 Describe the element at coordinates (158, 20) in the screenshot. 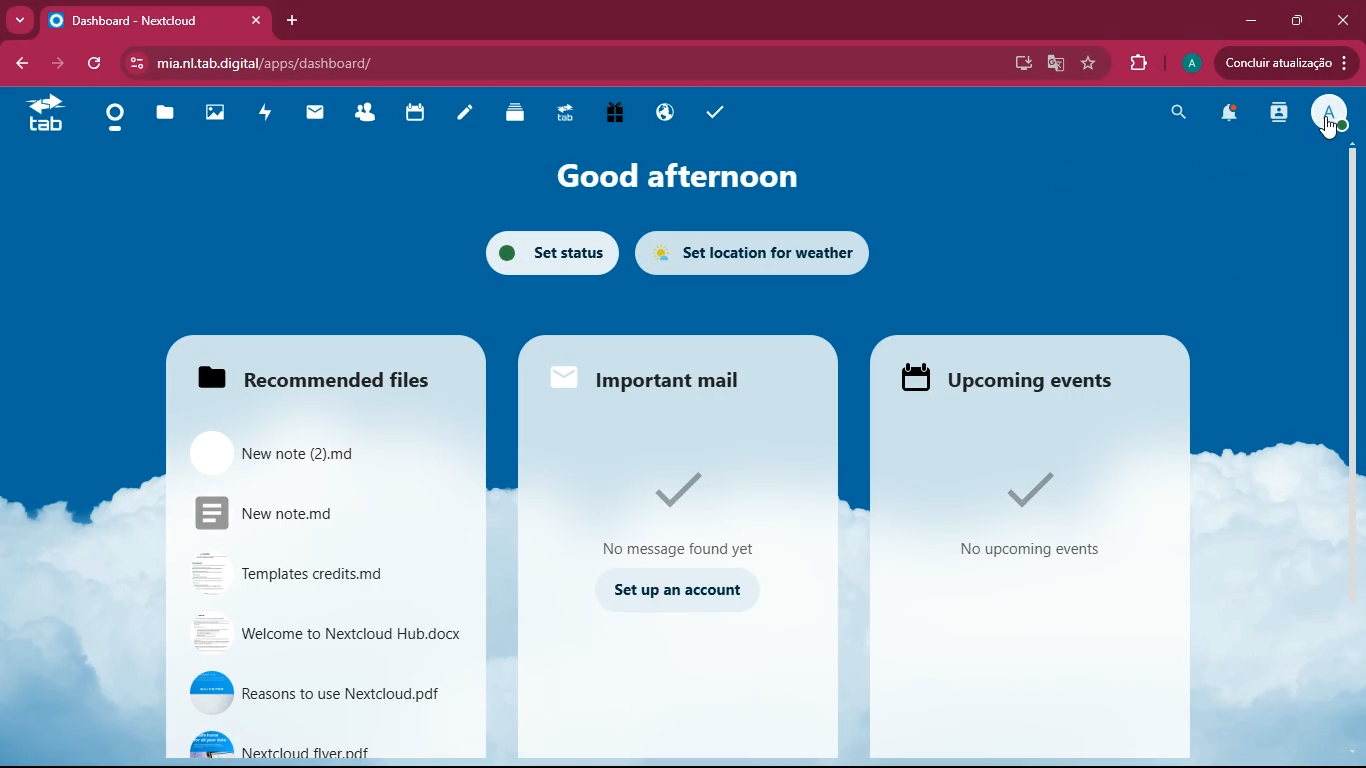

I see `tab` at that location.